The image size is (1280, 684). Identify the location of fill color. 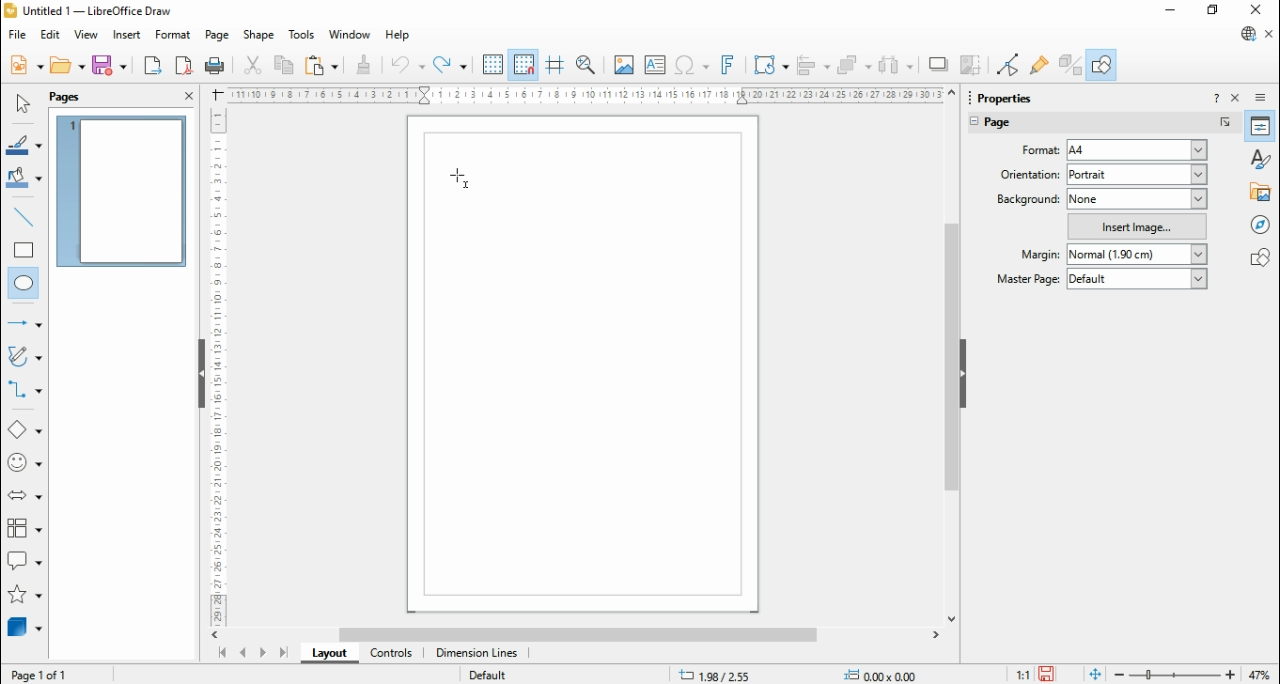
(25, 179).